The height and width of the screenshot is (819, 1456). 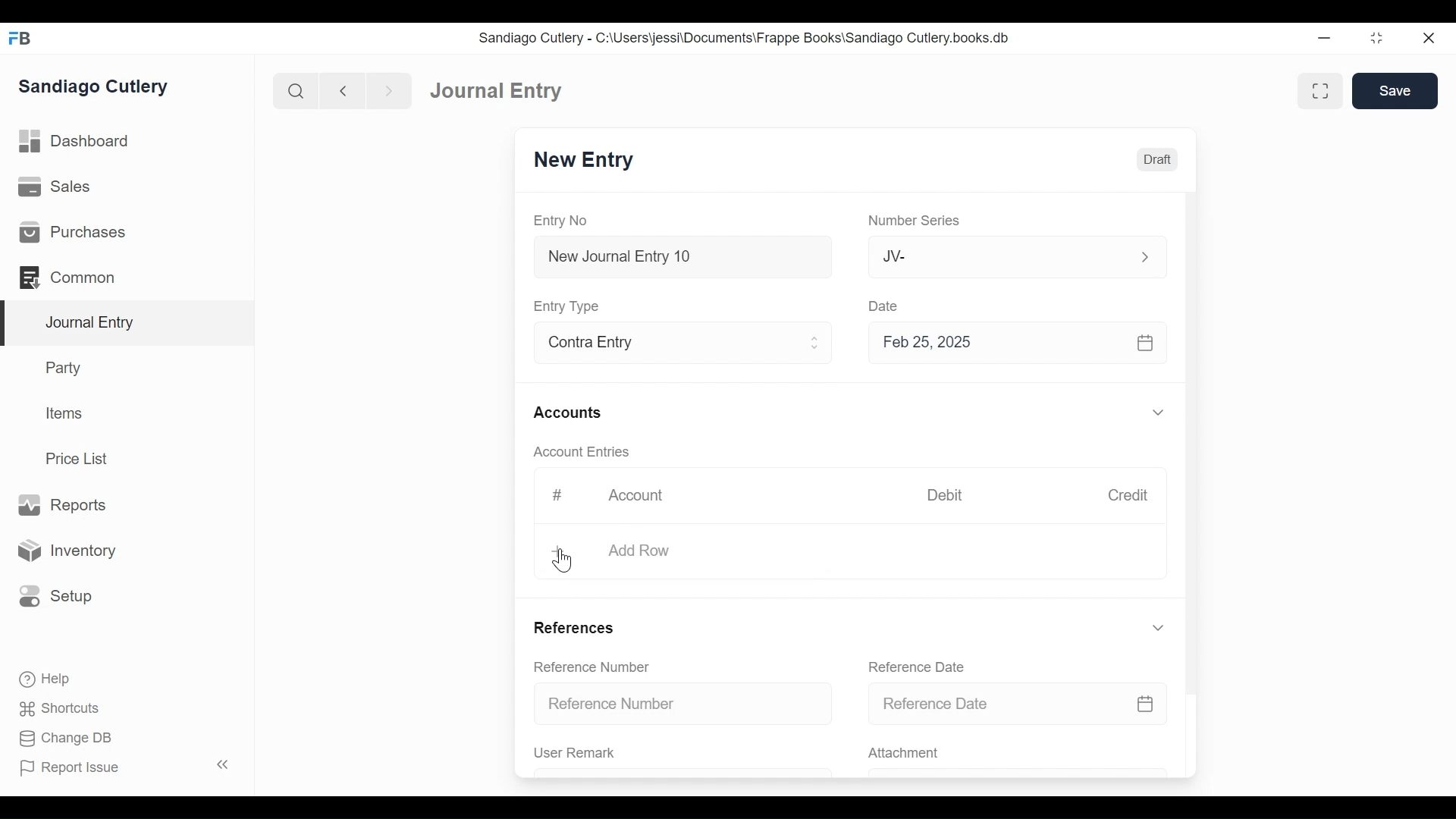 I want to click on Save, so click(x=1395, y=91).